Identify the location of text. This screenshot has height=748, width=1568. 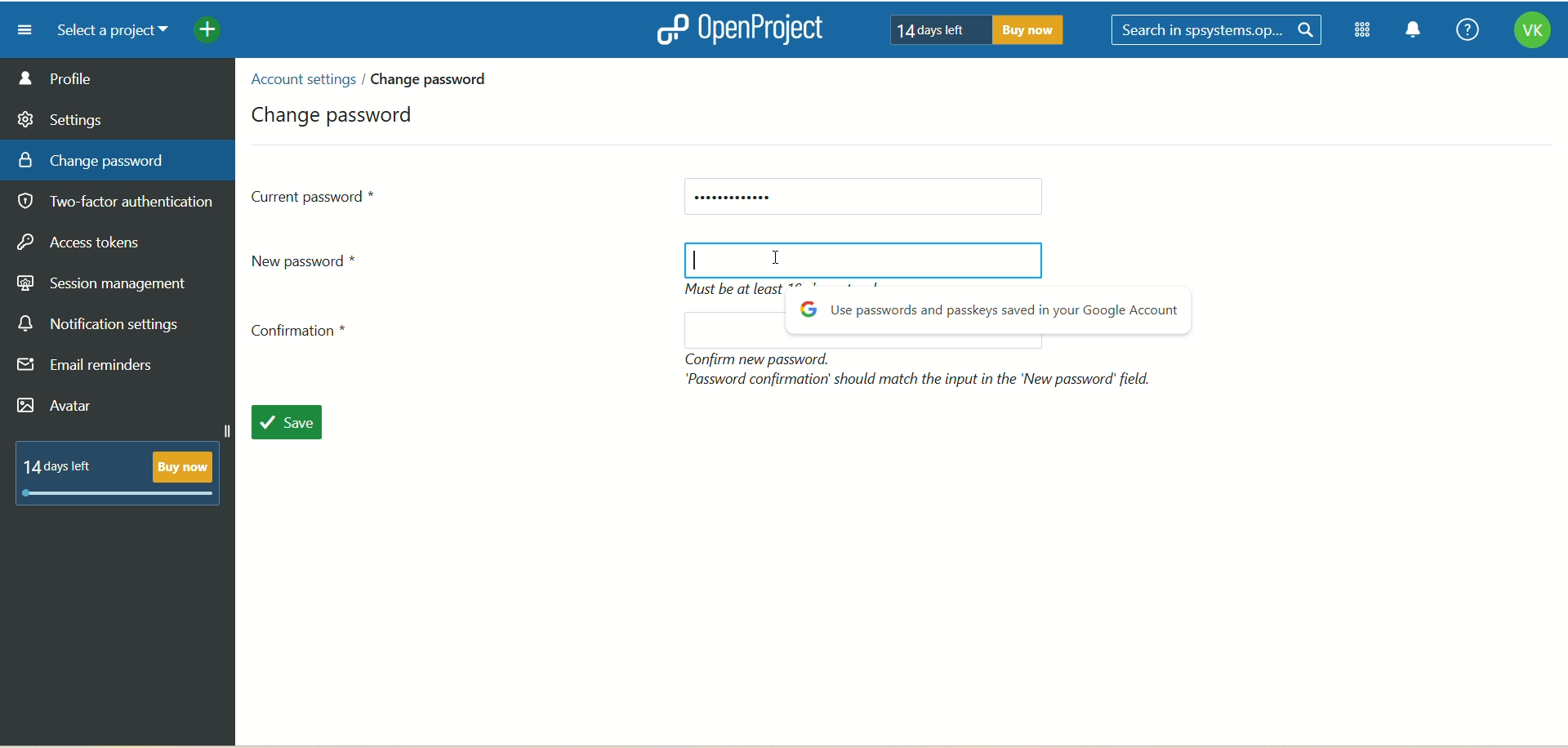
(988, 314).